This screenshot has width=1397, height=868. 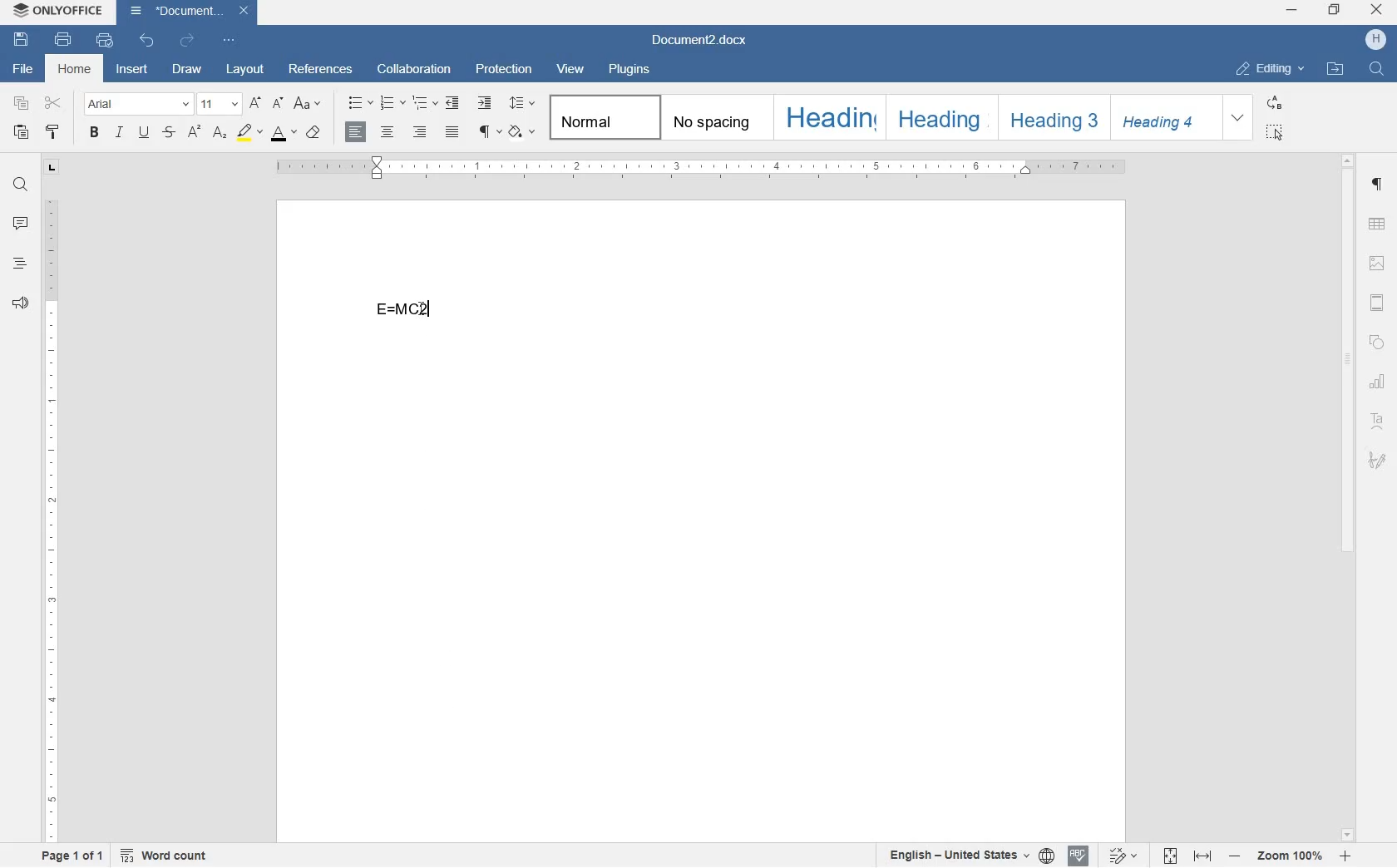 What do you see at coordinates (1378, 224) in the screenshot?
I see `table` at bounding box center [1378, 224].